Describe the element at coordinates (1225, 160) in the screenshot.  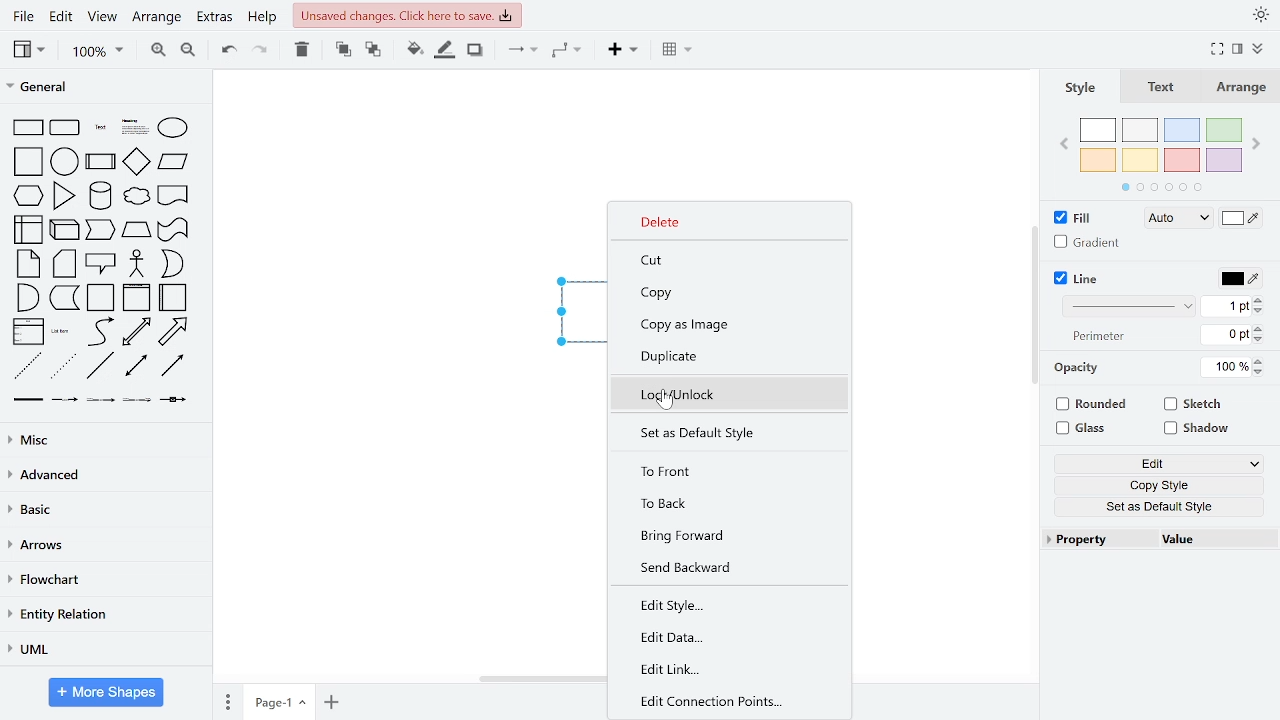
I see `violet` at that location.